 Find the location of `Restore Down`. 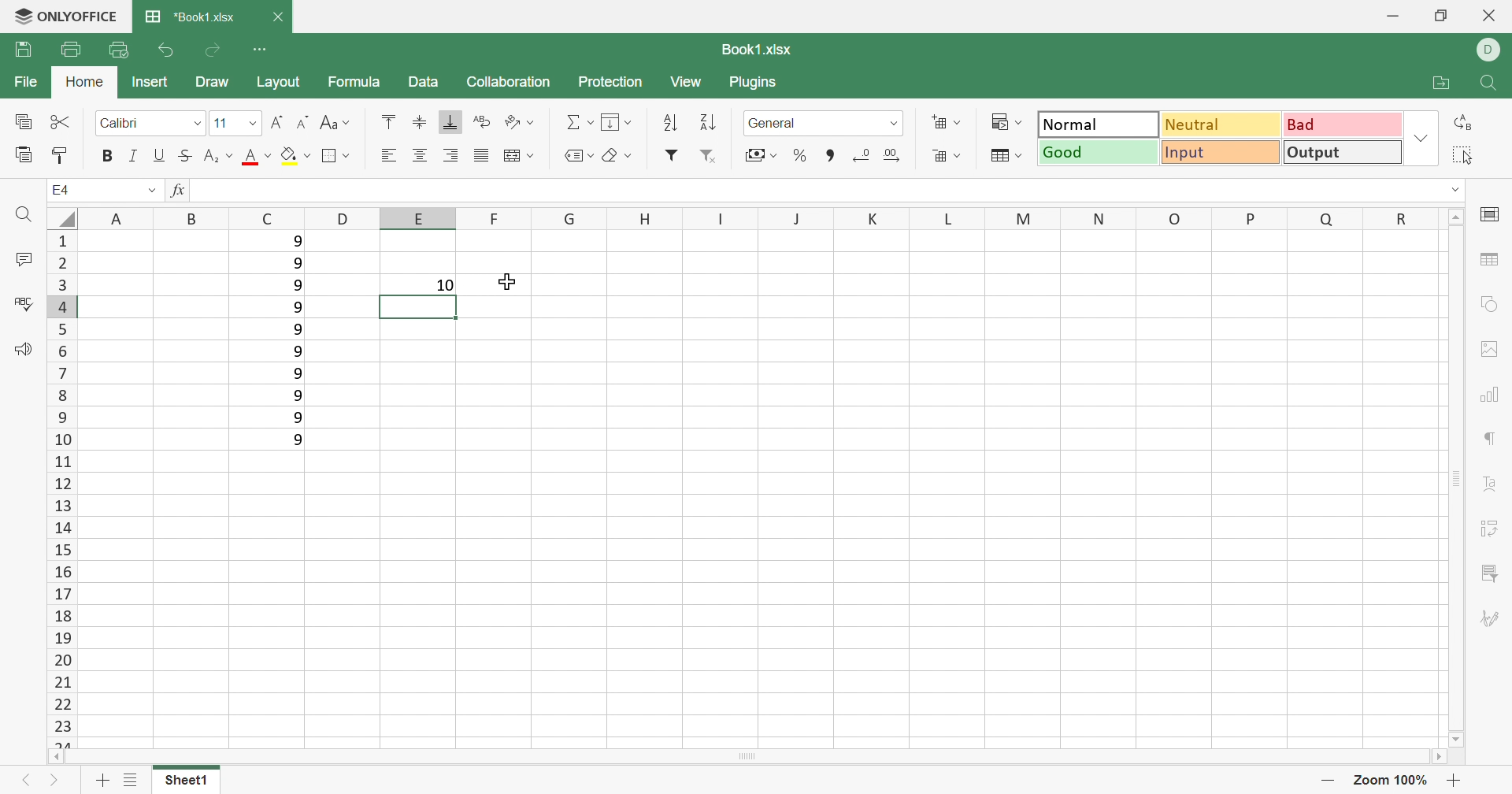

Restore Down is located at coordinates (1440, 13).